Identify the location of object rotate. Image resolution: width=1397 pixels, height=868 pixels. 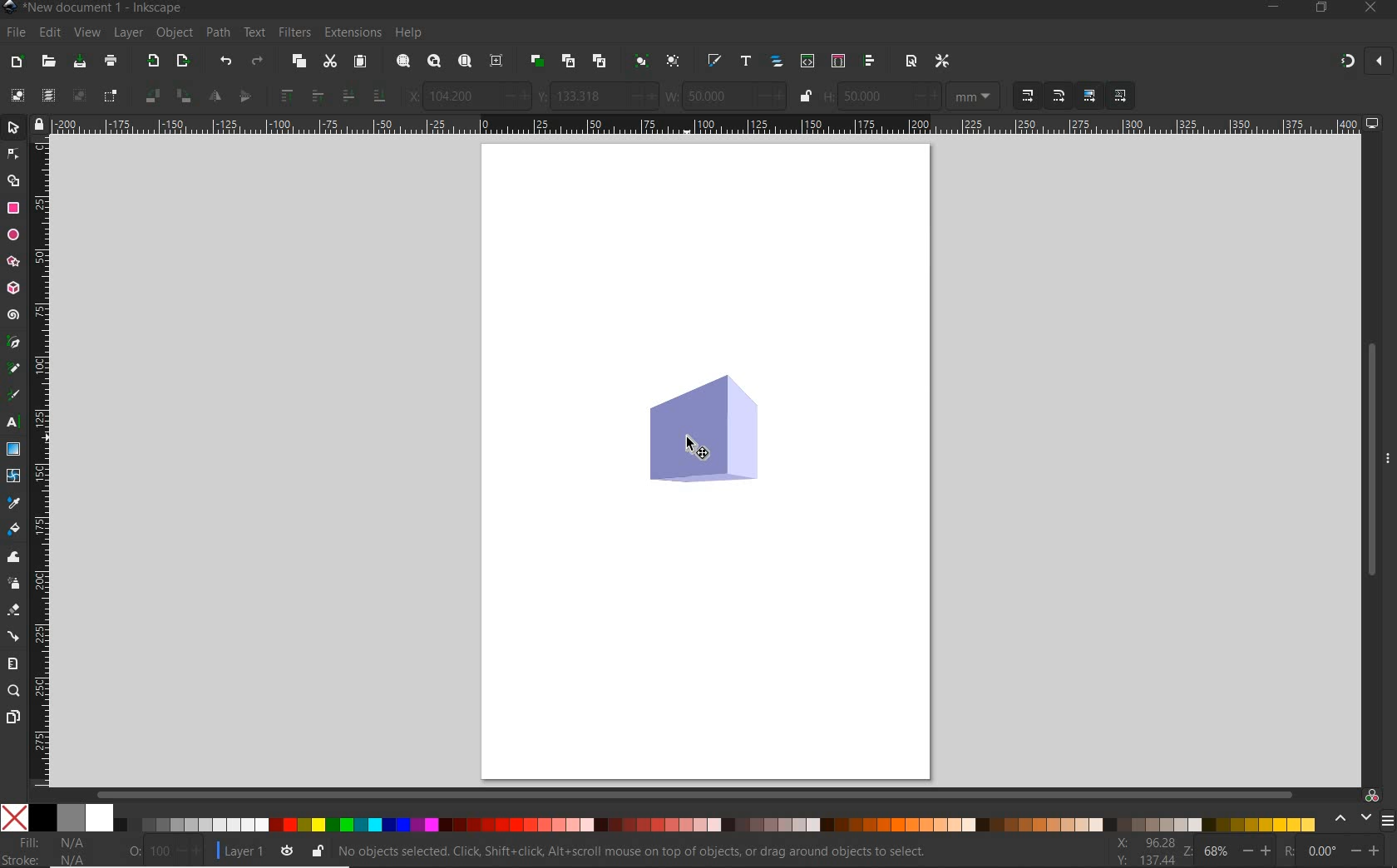
(151, 96).